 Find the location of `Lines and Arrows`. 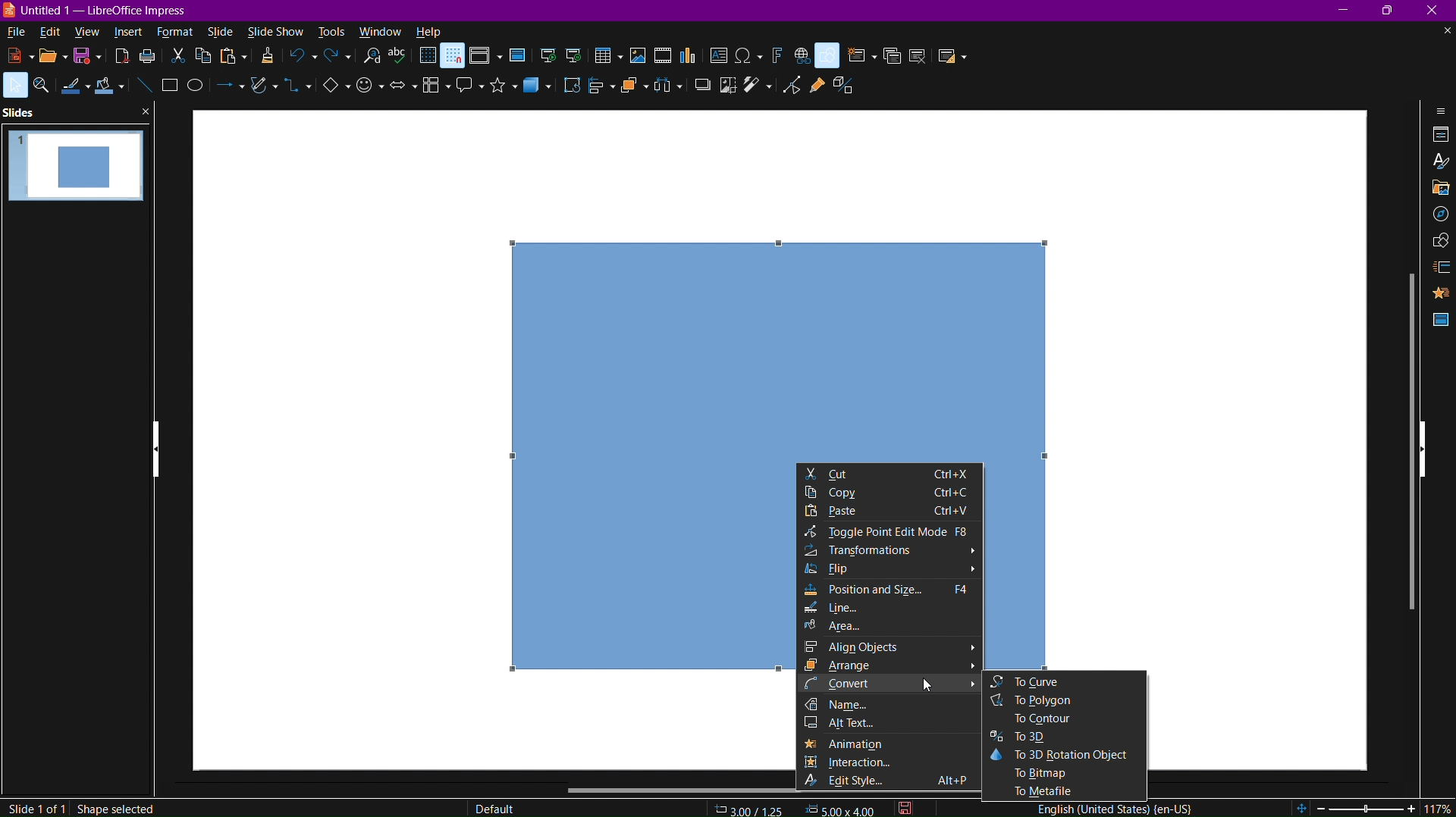

Lines and Arrows is located at coordinates (229, 92).